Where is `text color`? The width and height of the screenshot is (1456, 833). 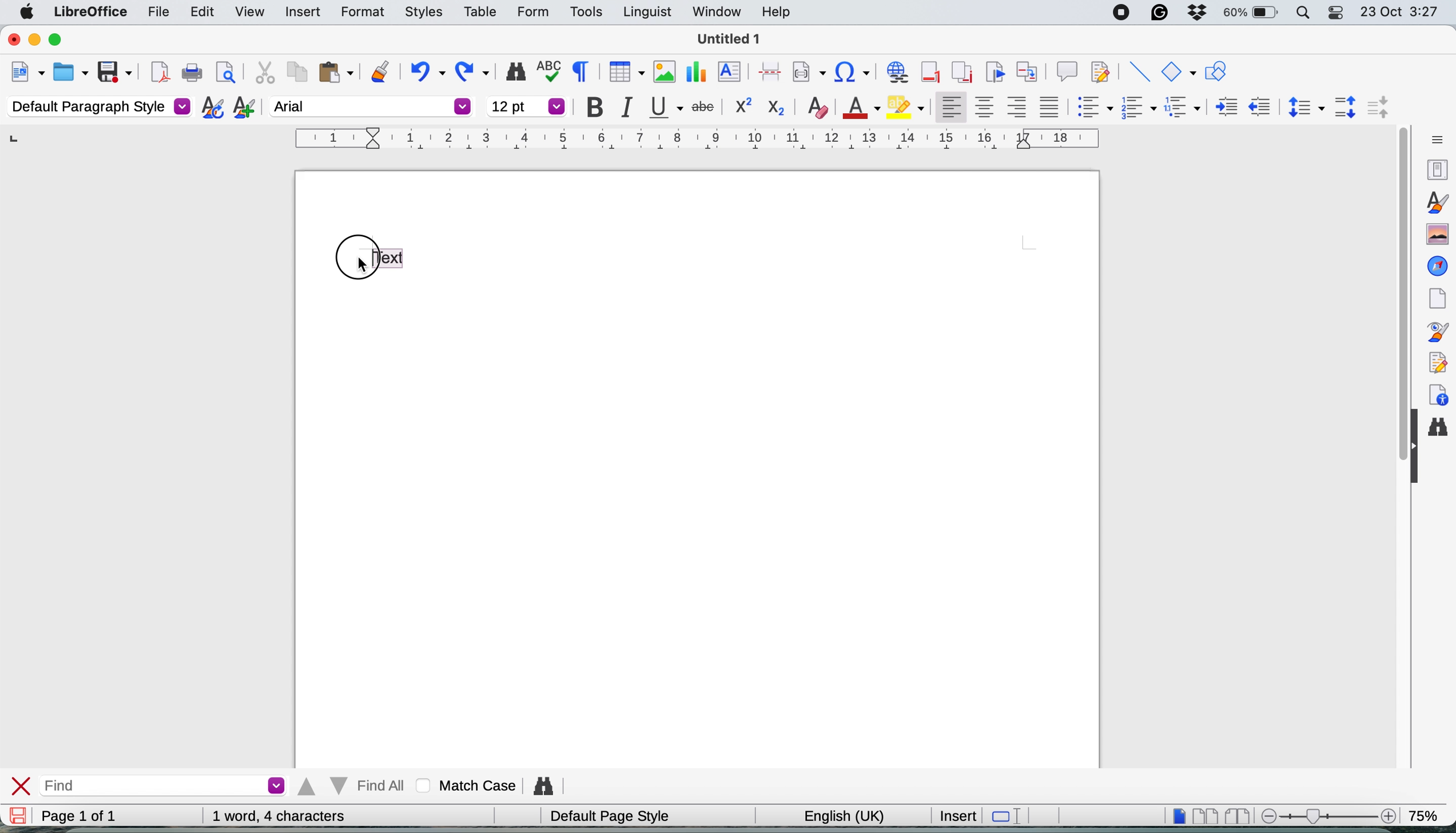 text color is located at coordinates (861, 106).